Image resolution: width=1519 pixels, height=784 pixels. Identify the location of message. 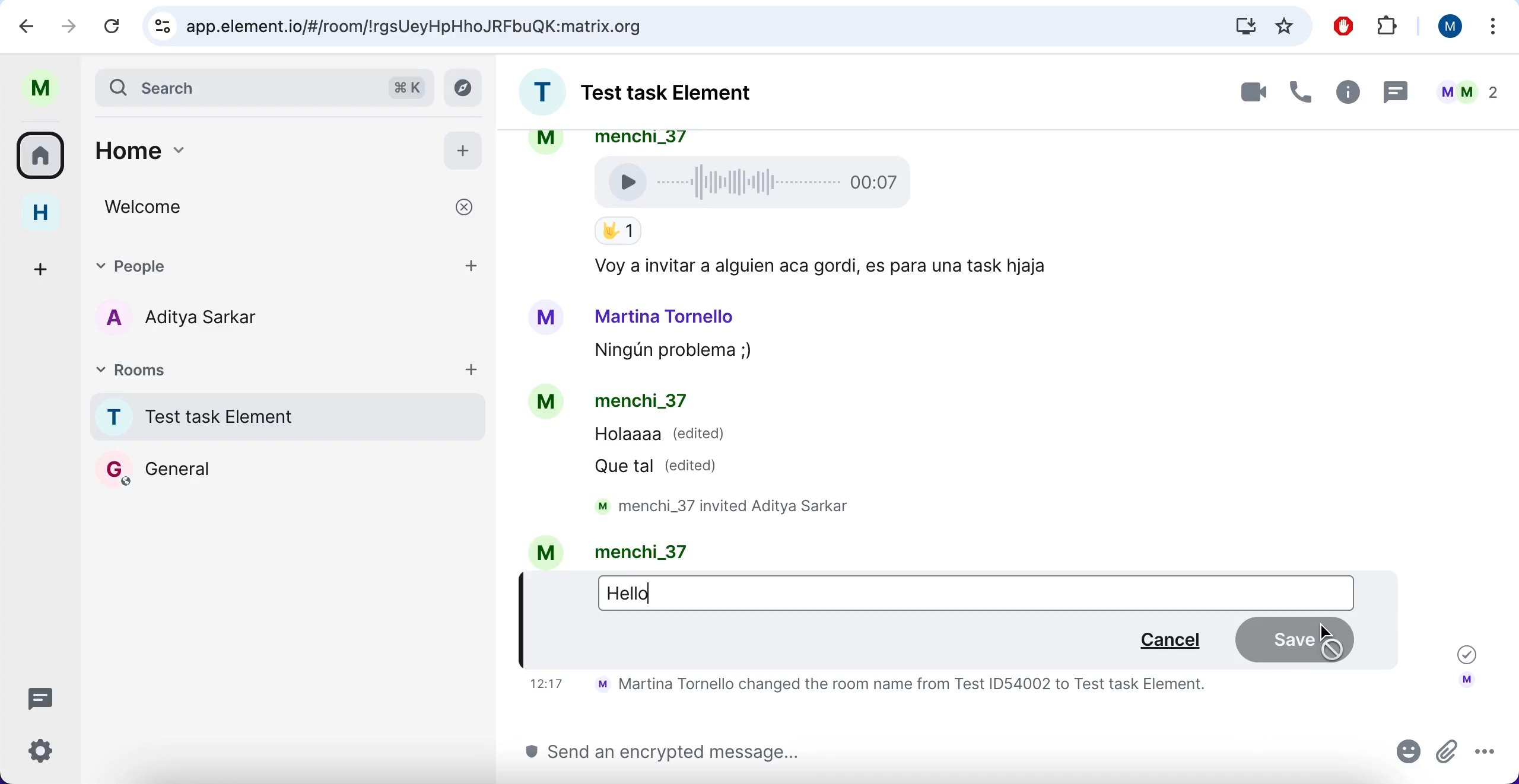
(1397, 93).